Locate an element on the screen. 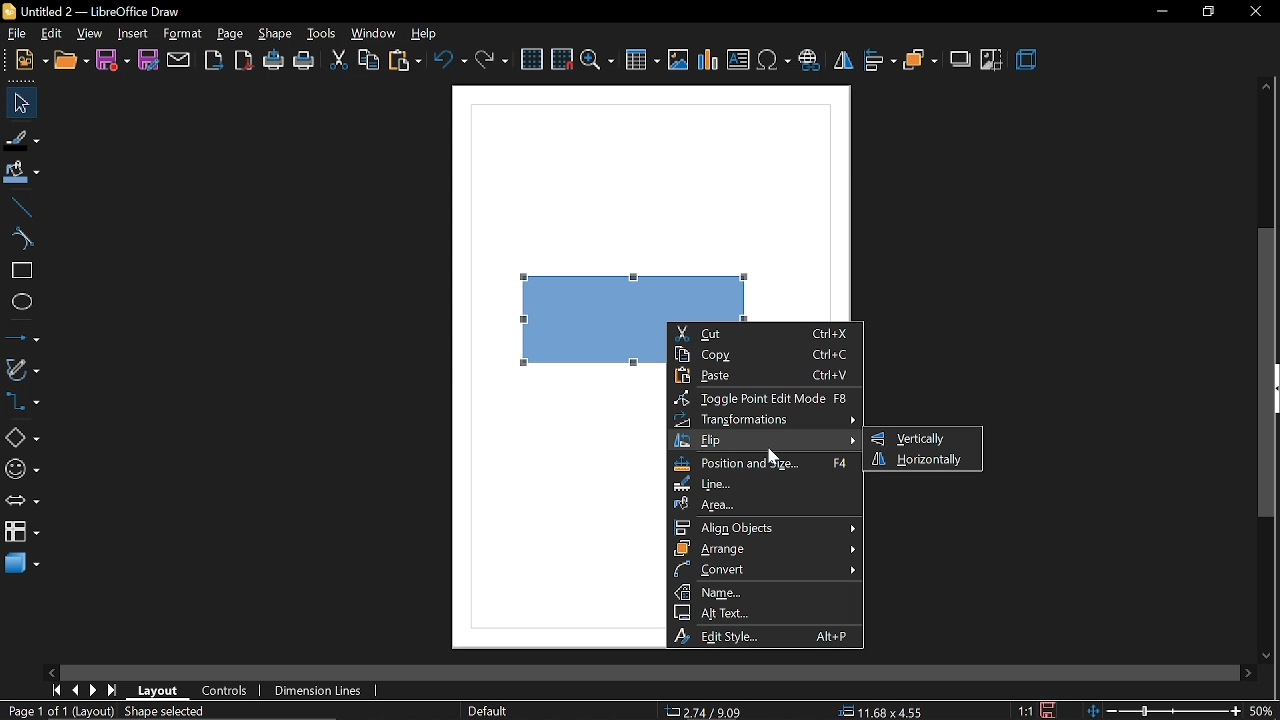  shape is located at coordinates (277, 33).